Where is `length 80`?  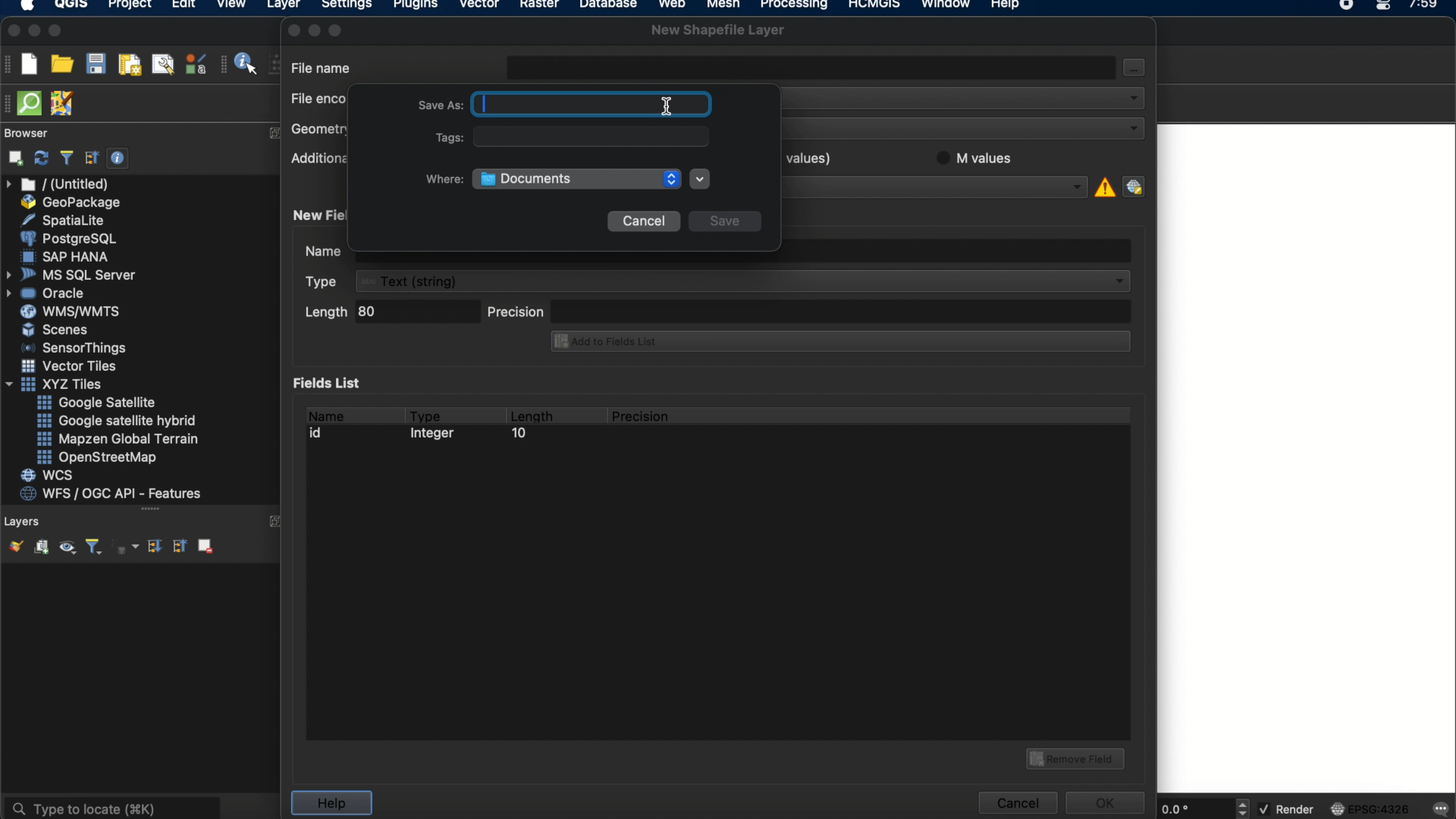
length 80 is located at coordinates (389, 314).